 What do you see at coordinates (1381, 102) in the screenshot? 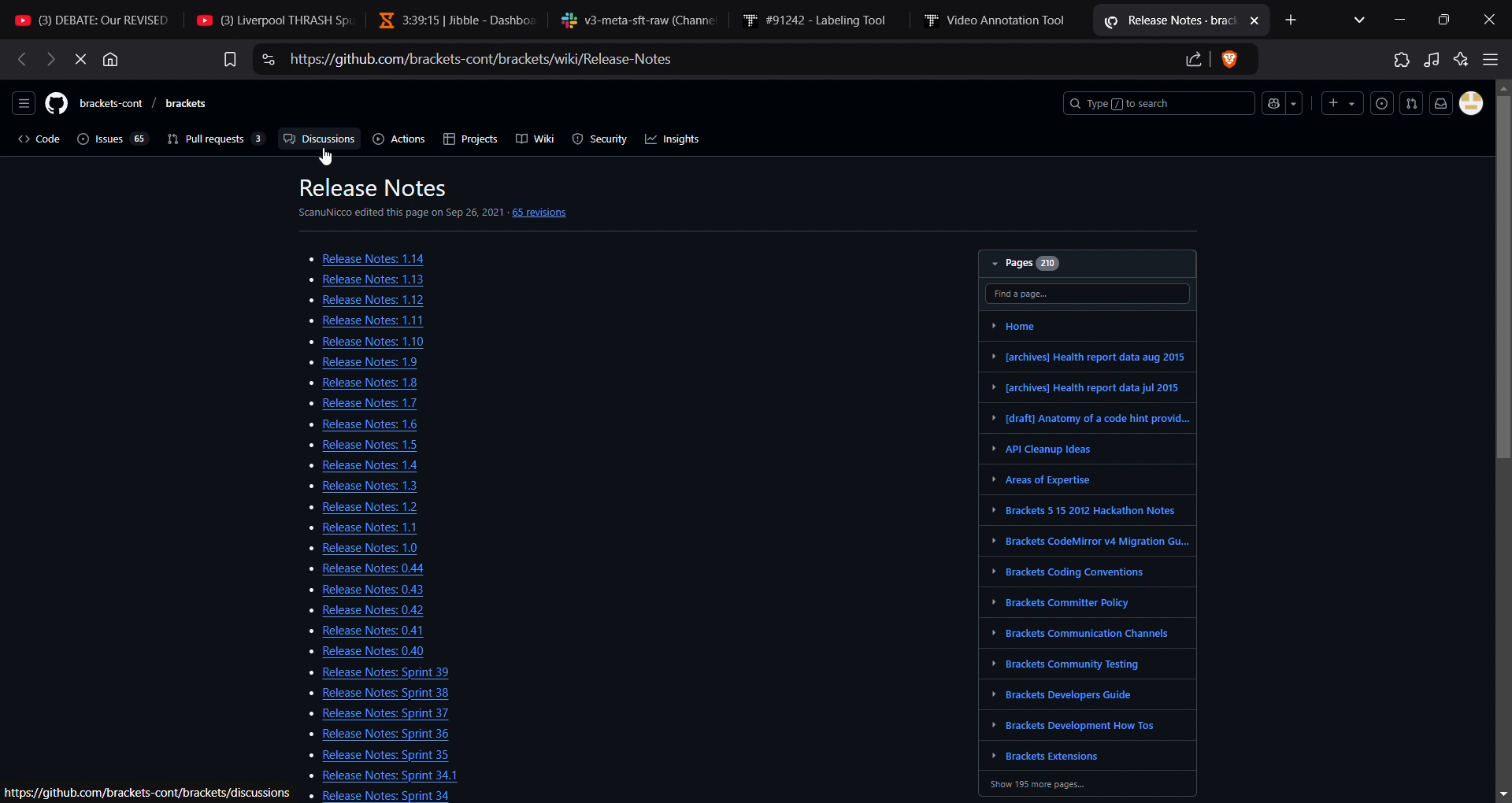
I see `Issues` at bounding box center [1381, 102].